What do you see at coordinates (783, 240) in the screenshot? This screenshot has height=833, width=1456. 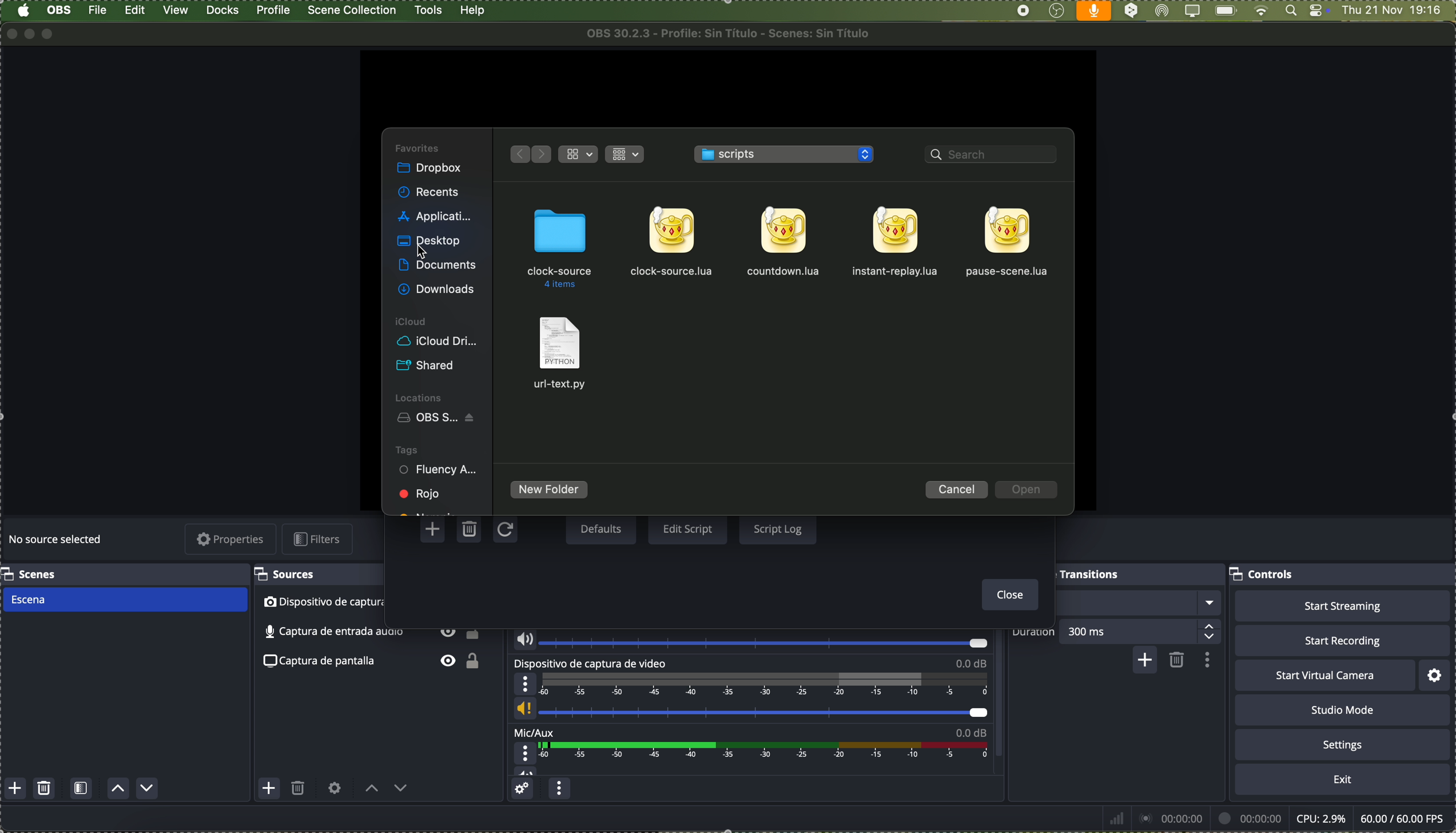 I see `file` at bounding box center [783, 240].